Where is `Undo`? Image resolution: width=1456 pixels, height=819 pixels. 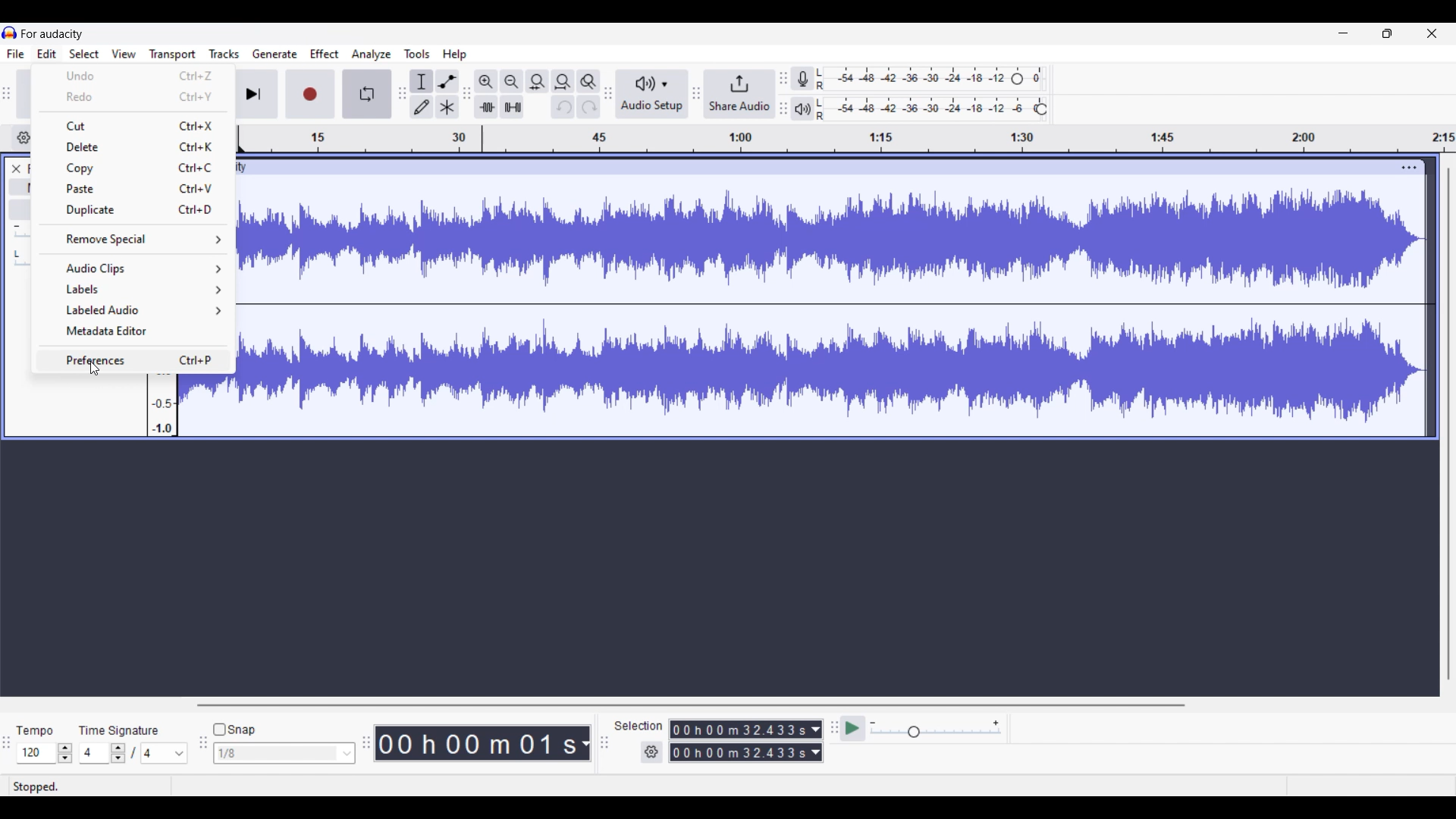
Undo is located at coordinates (563, 107).